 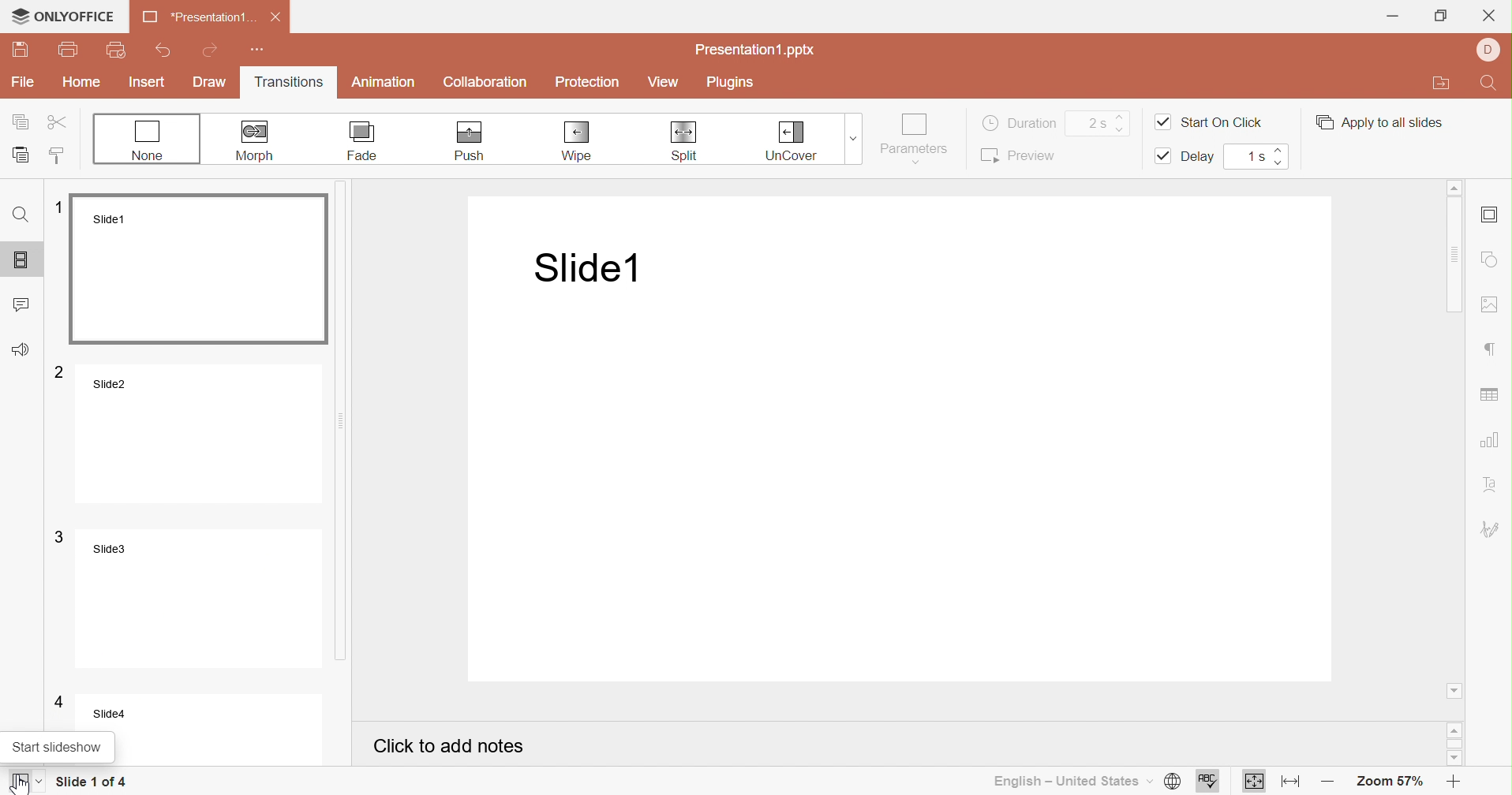 What do you see at coordinates (728, 81) in the screenshot?
I see `Plugins` at bounding box center [728, 81].